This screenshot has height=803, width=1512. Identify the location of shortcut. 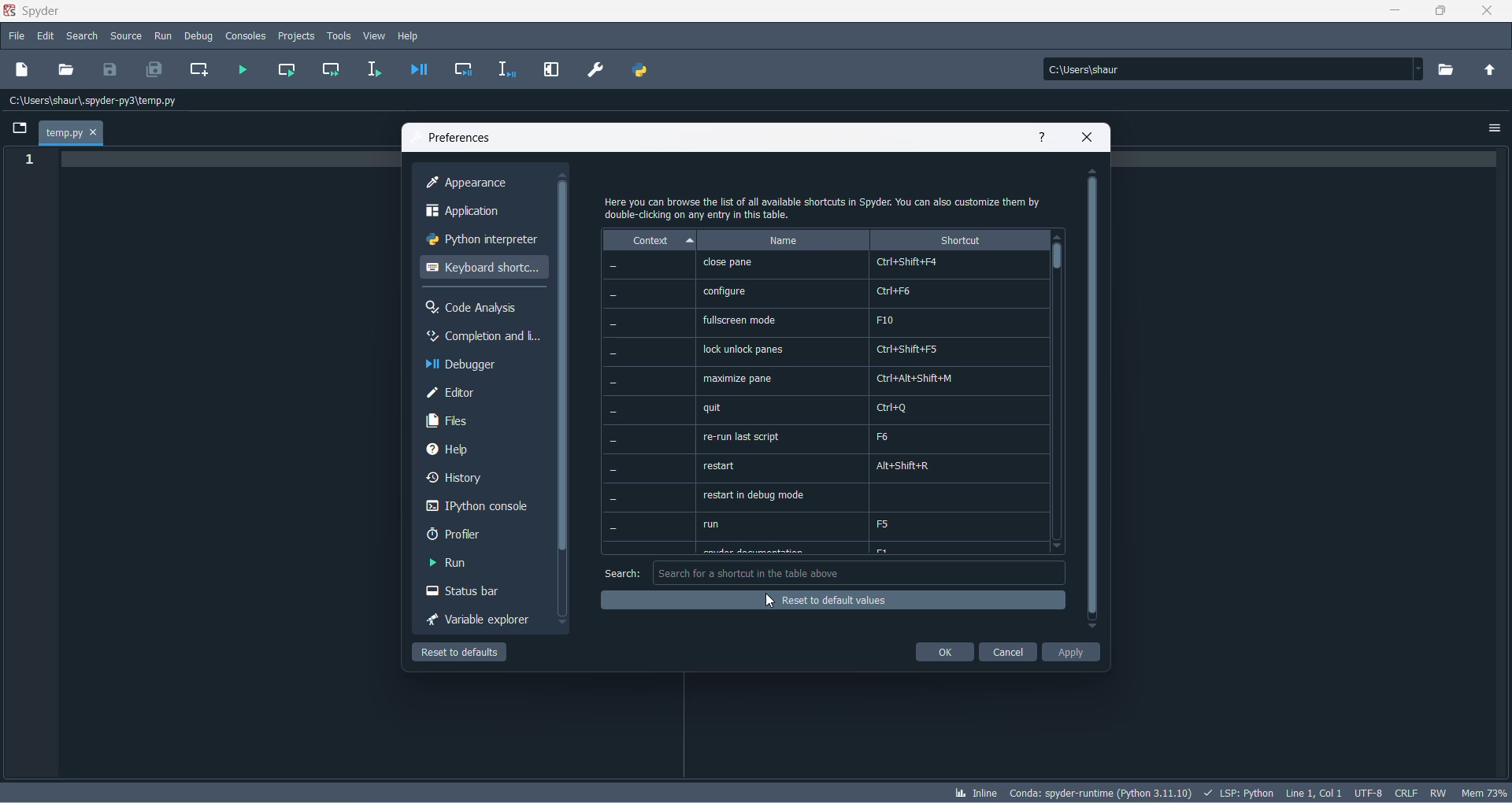
(961, 239).